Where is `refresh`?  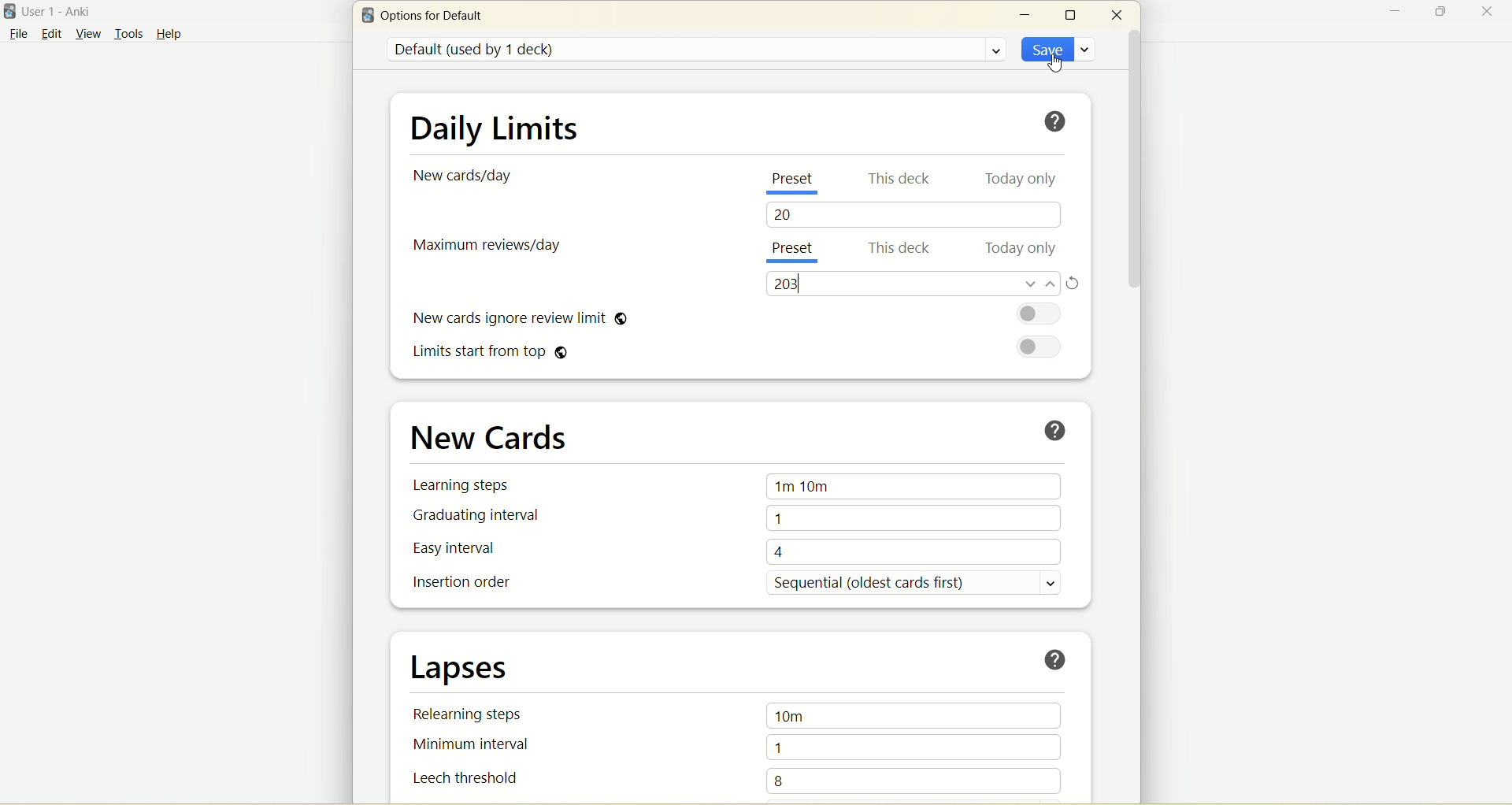 refresh is located at coordinates (1073, 286).